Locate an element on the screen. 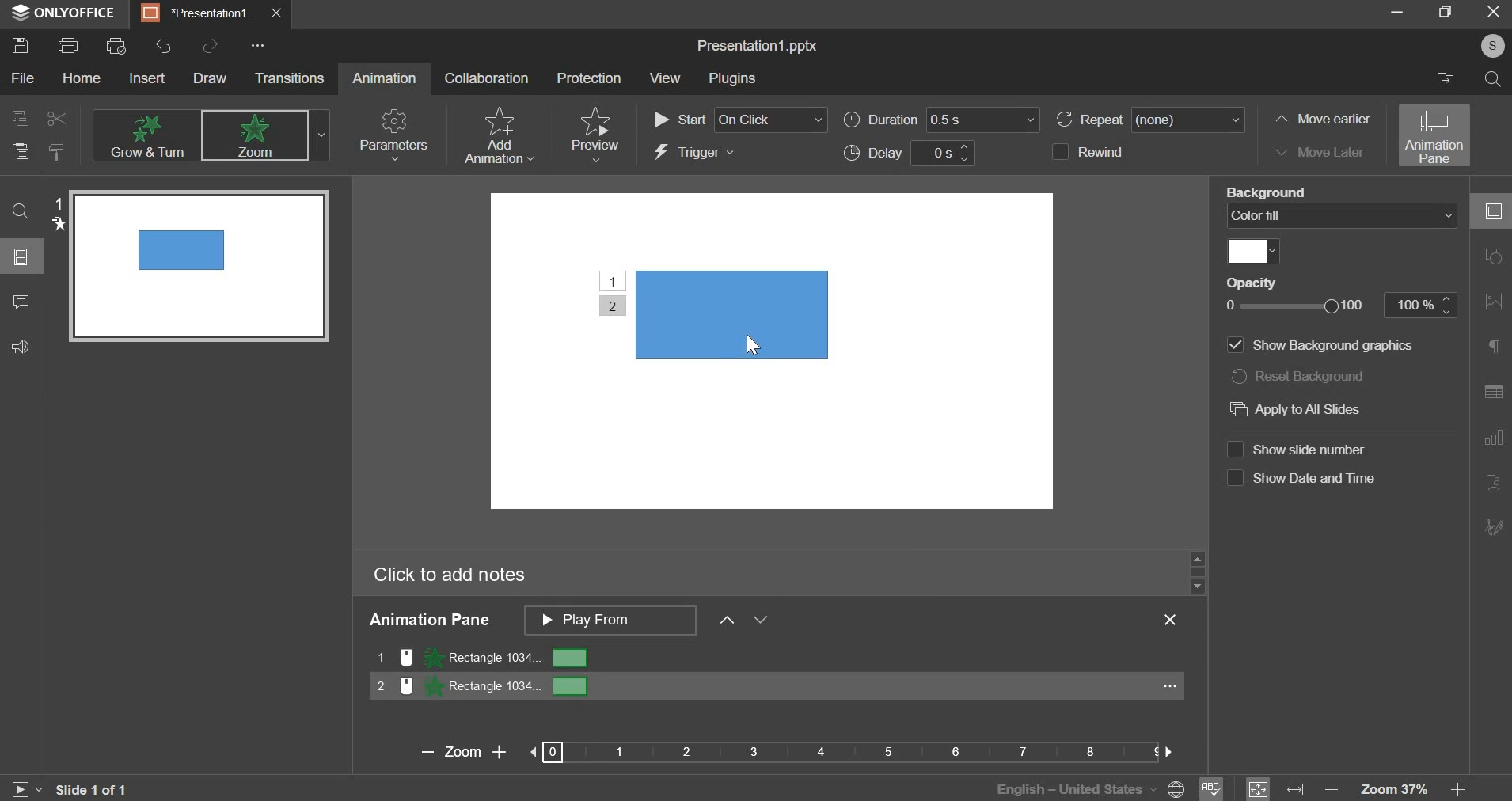  repeat is located at coordinates (1152, 120).